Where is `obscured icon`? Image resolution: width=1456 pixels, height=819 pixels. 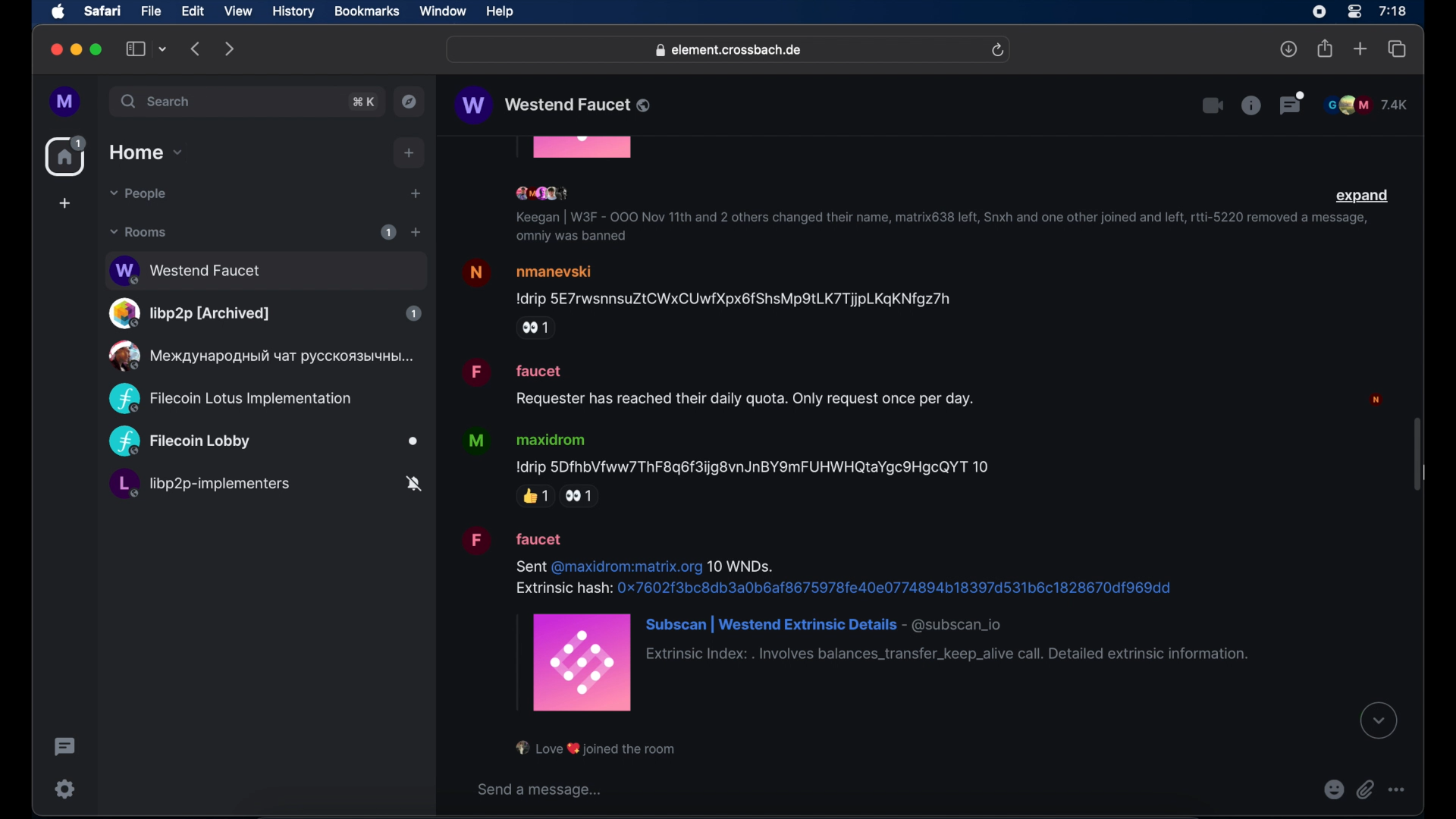
obscured icon is located at coordinates (583, 149).